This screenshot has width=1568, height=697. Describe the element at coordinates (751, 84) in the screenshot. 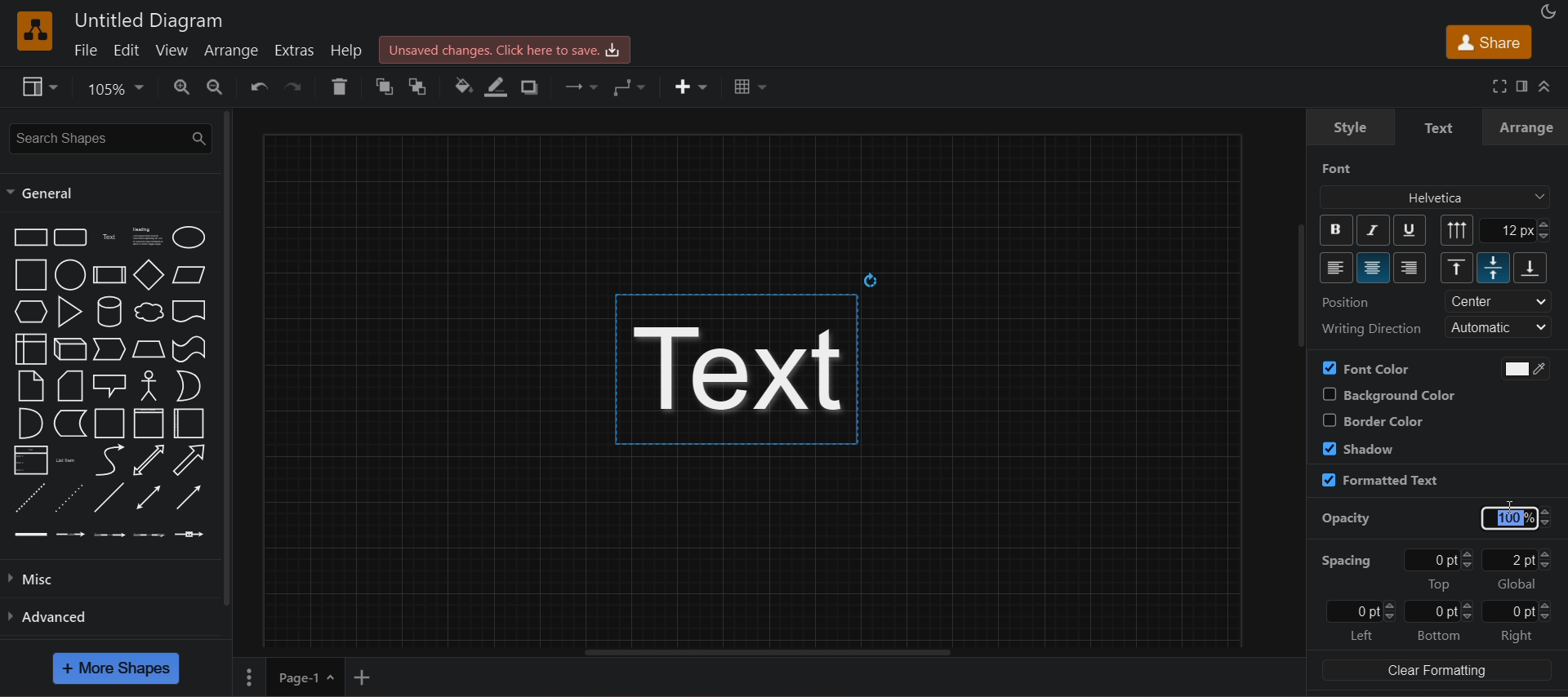

I see `table` at that location.